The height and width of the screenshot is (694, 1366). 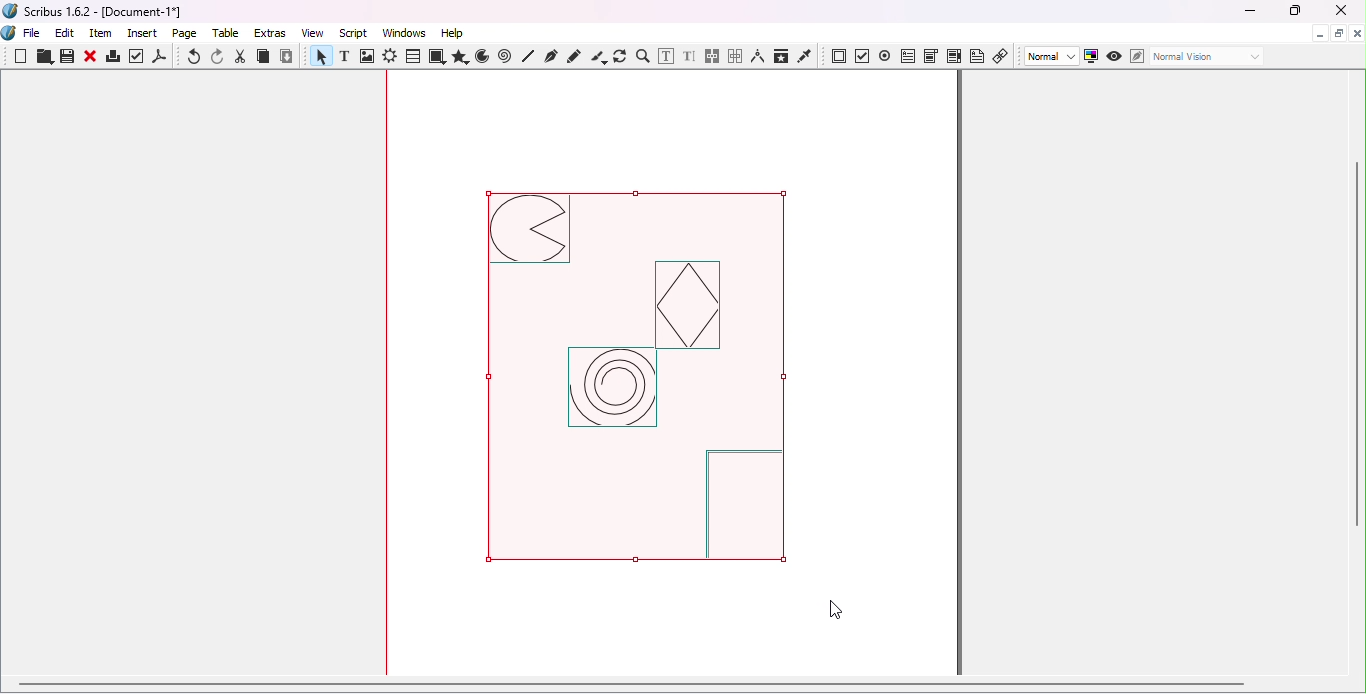 I want to click on Edit contents of frame, so click(x=665, y=56).